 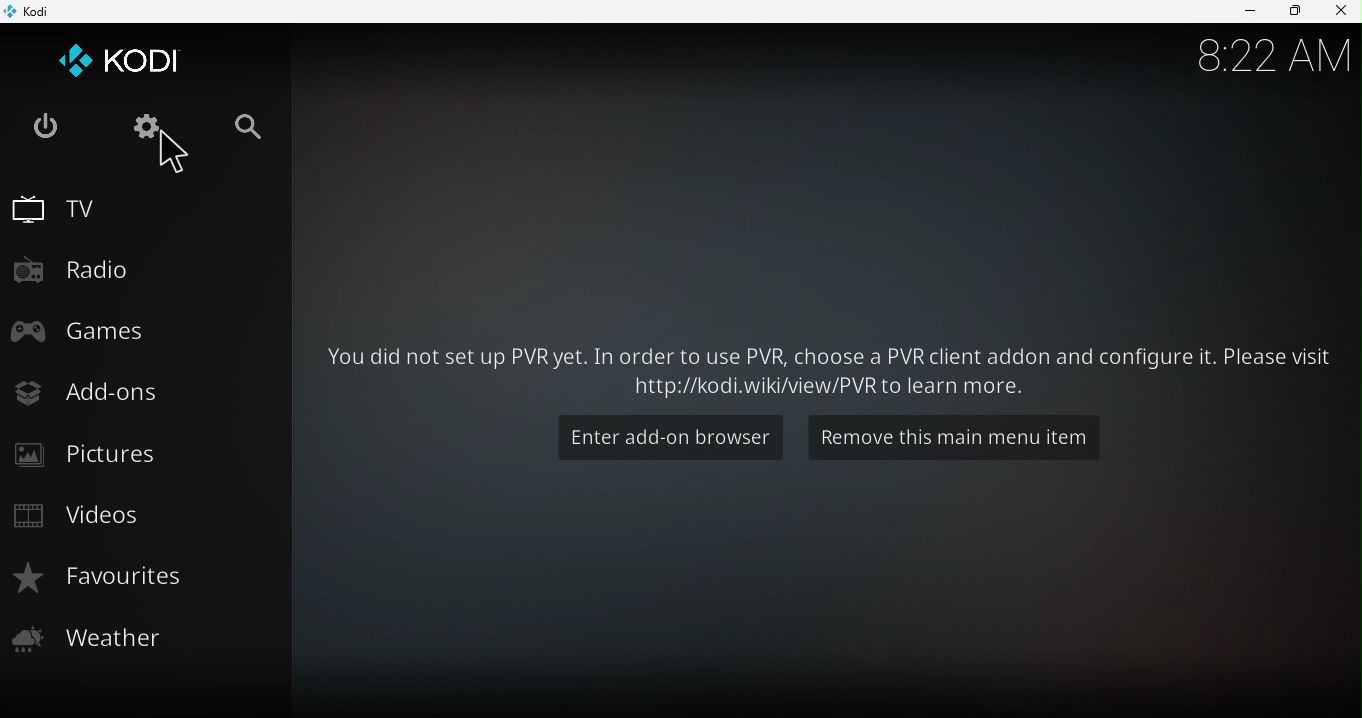 What do you see at coordinates (143, 394) in the screenshot?
I see `Add-ons` at bounding box center [143, 394].